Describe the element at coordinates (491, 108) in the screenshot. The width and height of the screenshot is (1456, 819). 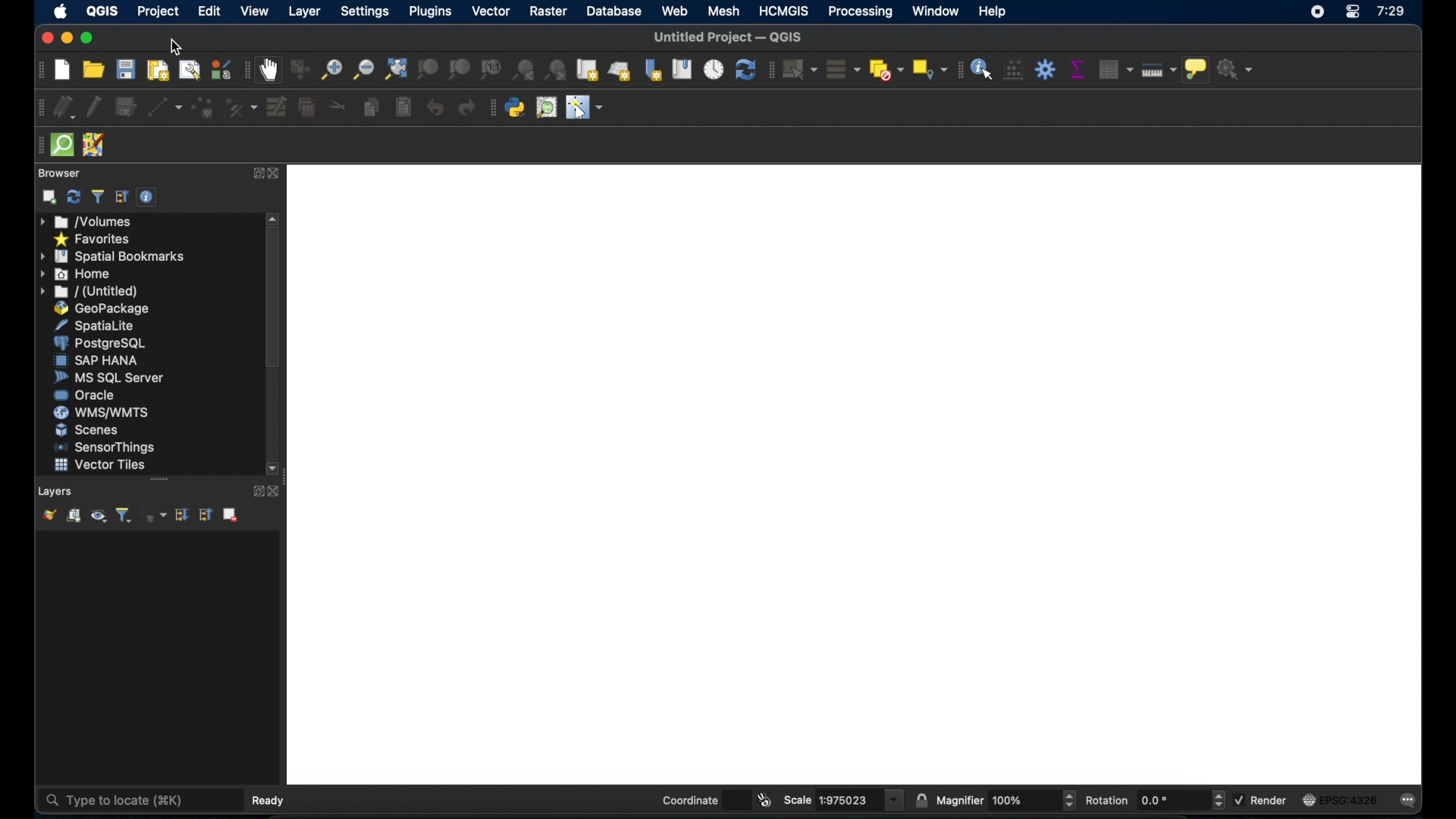
I see `plugins toolbar` at that location.